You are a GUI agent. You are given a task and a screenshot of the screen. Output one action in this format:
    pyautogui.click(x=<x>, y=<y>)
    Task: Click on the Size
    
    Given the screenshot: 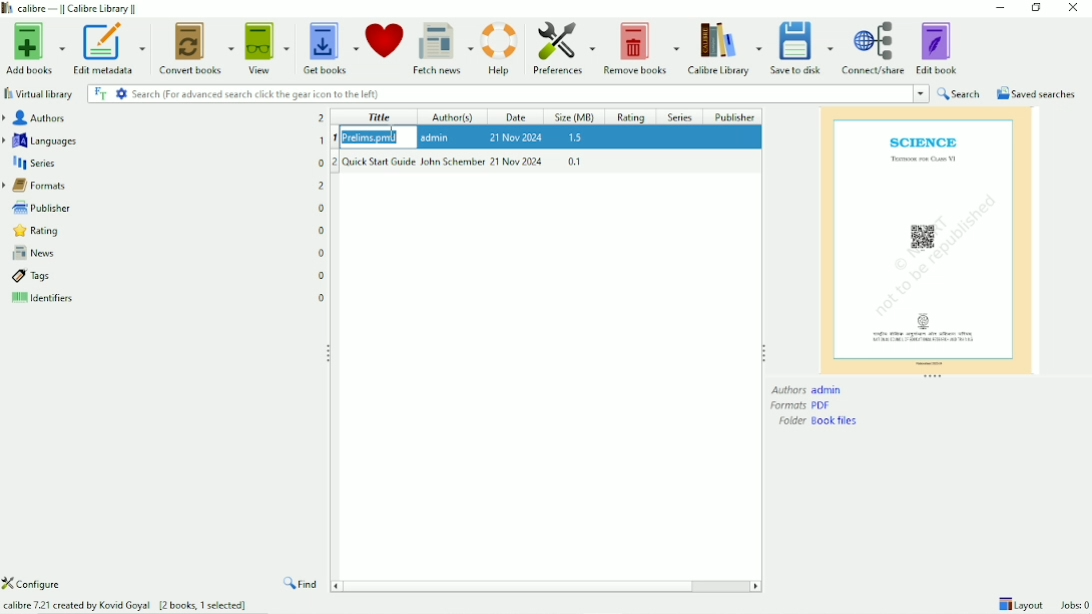 What is the action you would take?
    pyautogui.click(x=577, y=117)
    